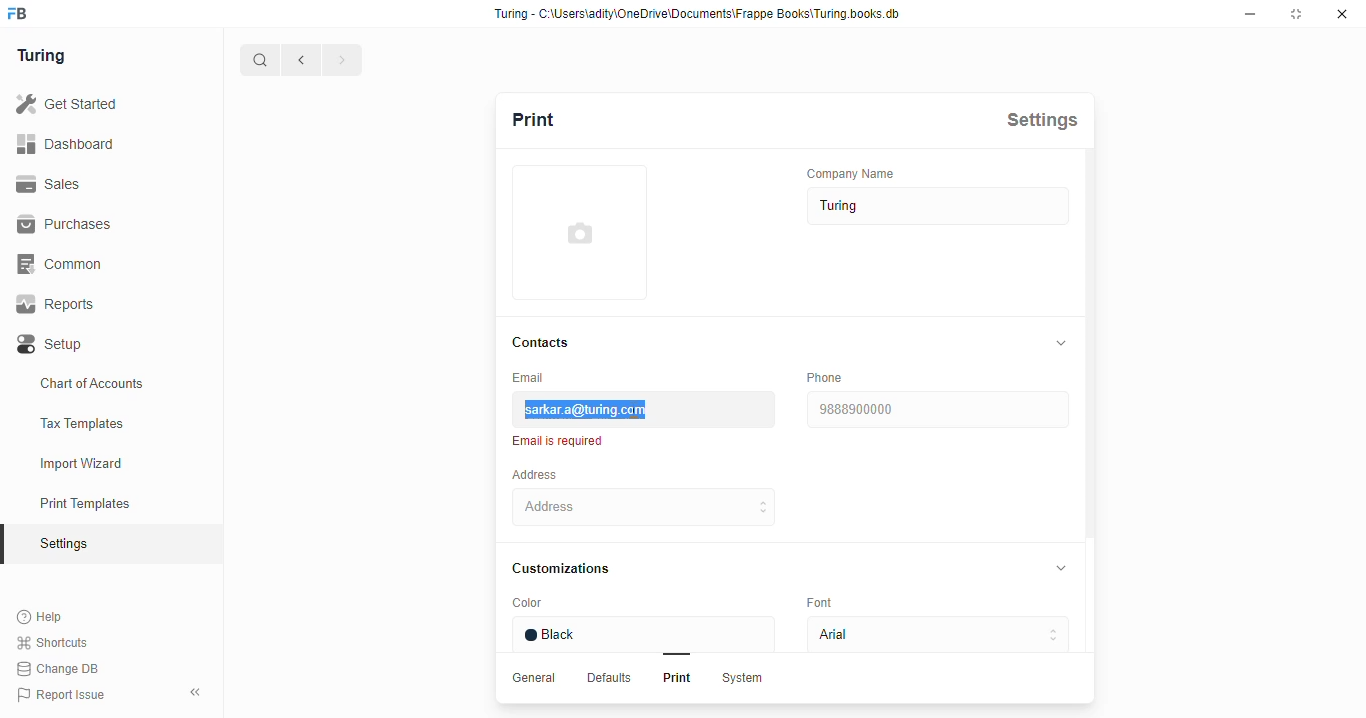 The width and height of the screenshot is (1366, 718). What do you see at coordinates (830, 604) in the screenshot?
I see `Font` at bounding box center [830, 604].